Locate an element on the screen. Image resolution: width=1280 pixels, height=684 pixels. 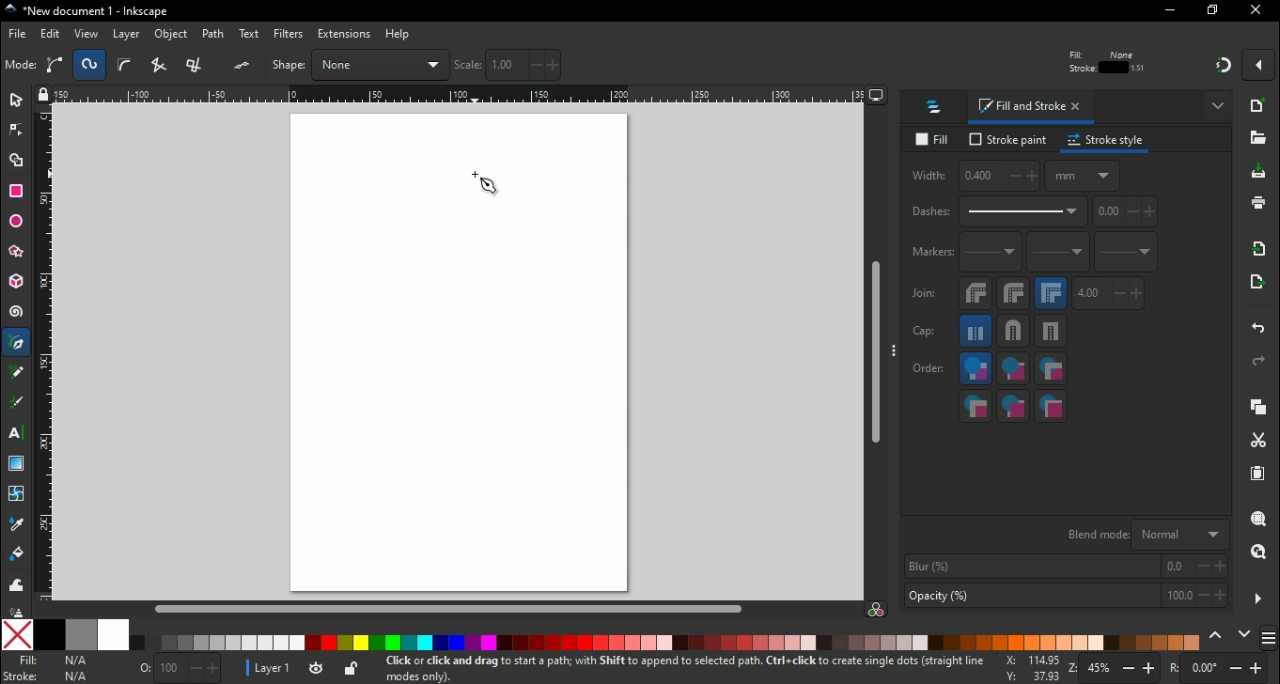
color manager mode is located at coordinates (878, 610).